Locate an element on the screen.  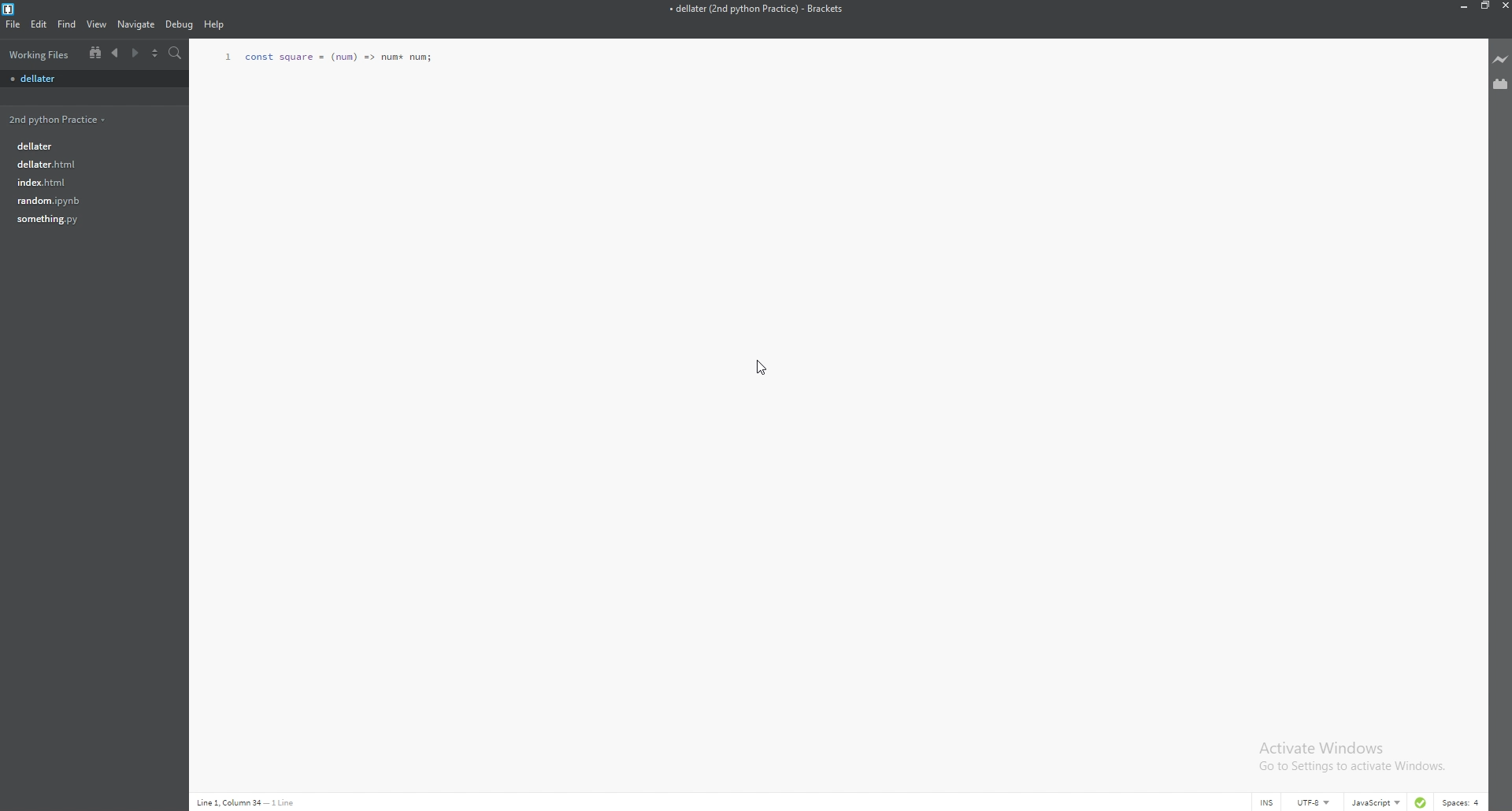
file is located at coordinates (87, 182).